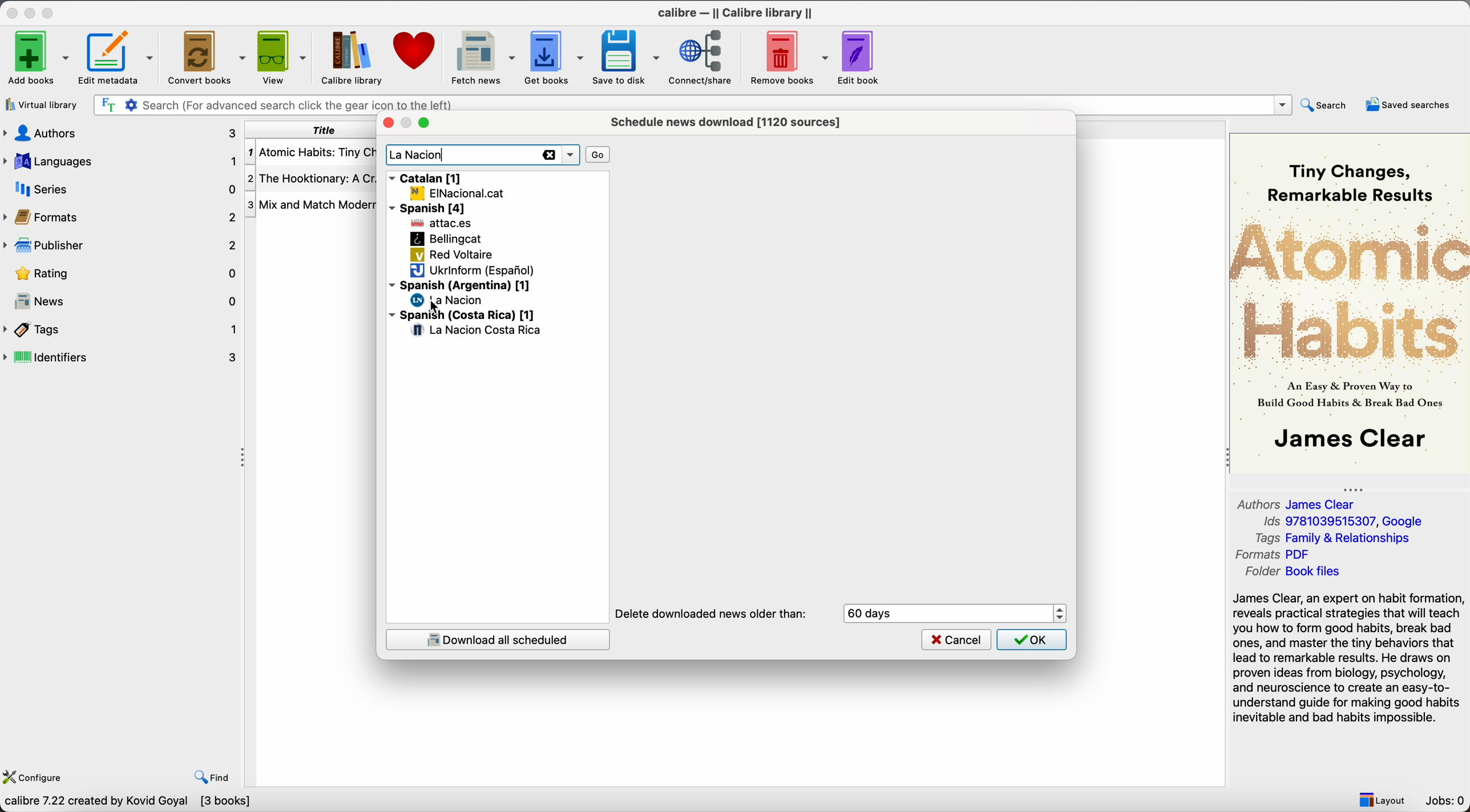  I want to click on search, so click(1326, 106).